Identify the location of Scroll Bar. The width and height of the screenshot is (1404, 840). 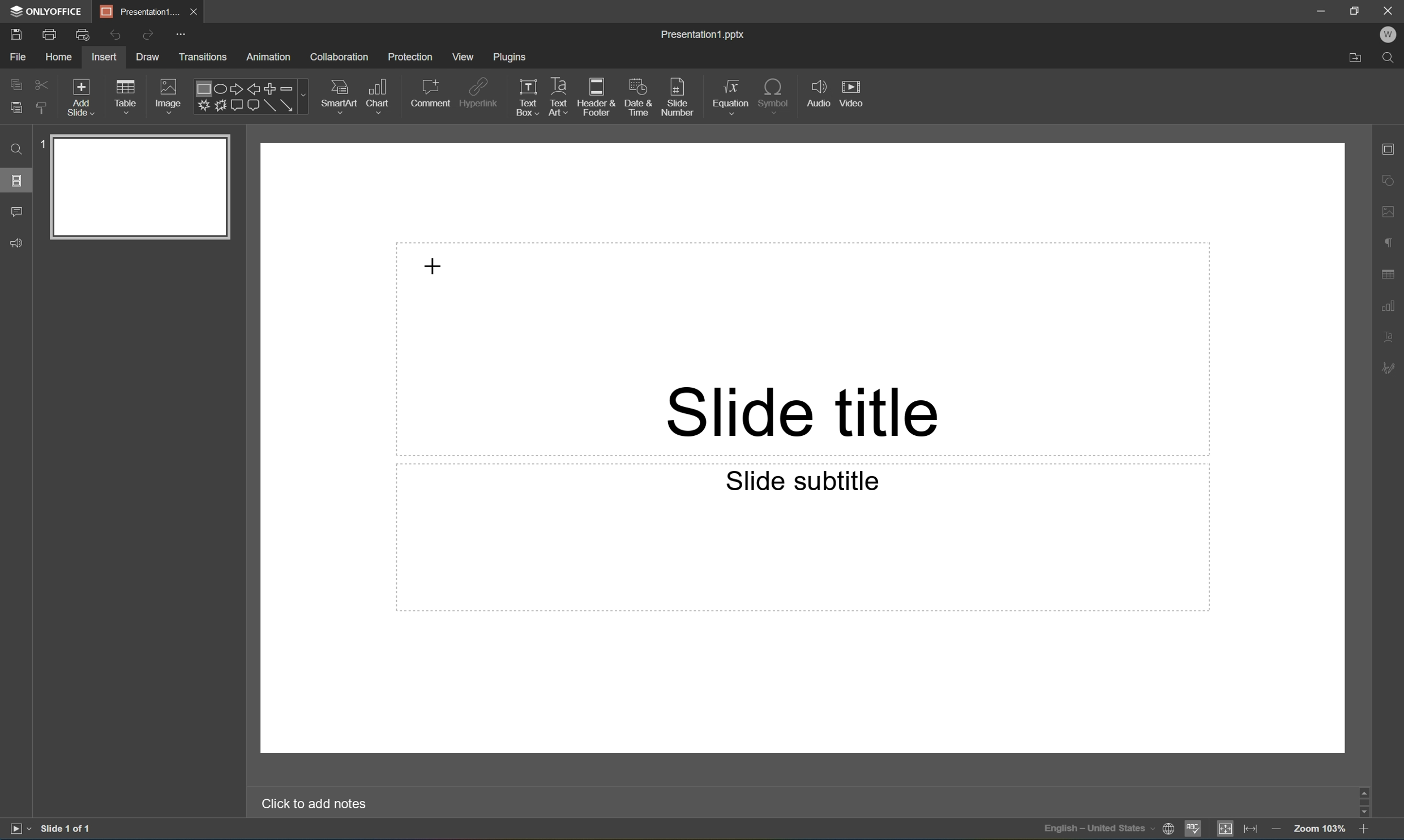
(1361, 798).